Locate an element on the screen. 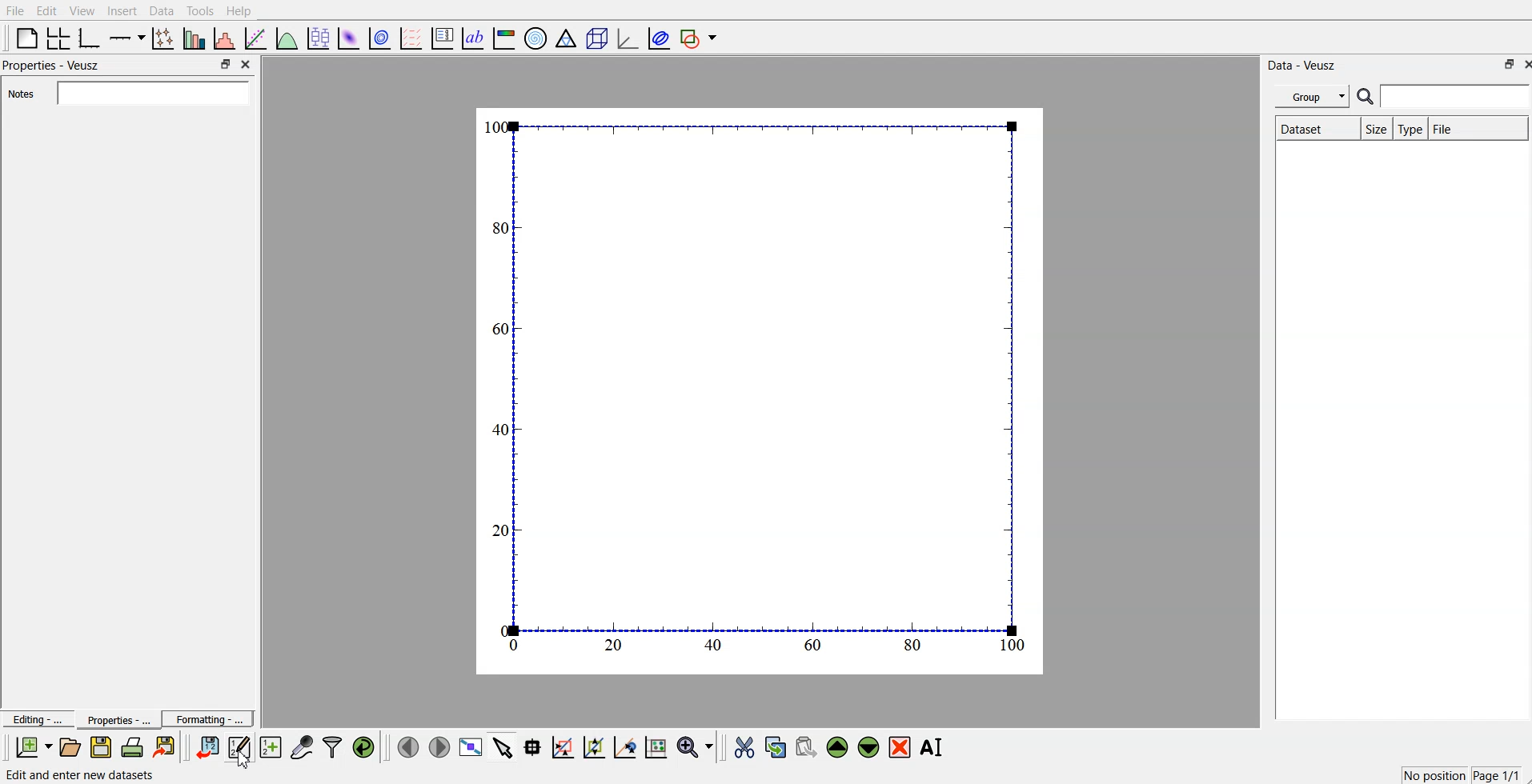 Image resolution: width=1532 pixels, height=784 pixels. Capture remote data is located at coordinates (303, 746).